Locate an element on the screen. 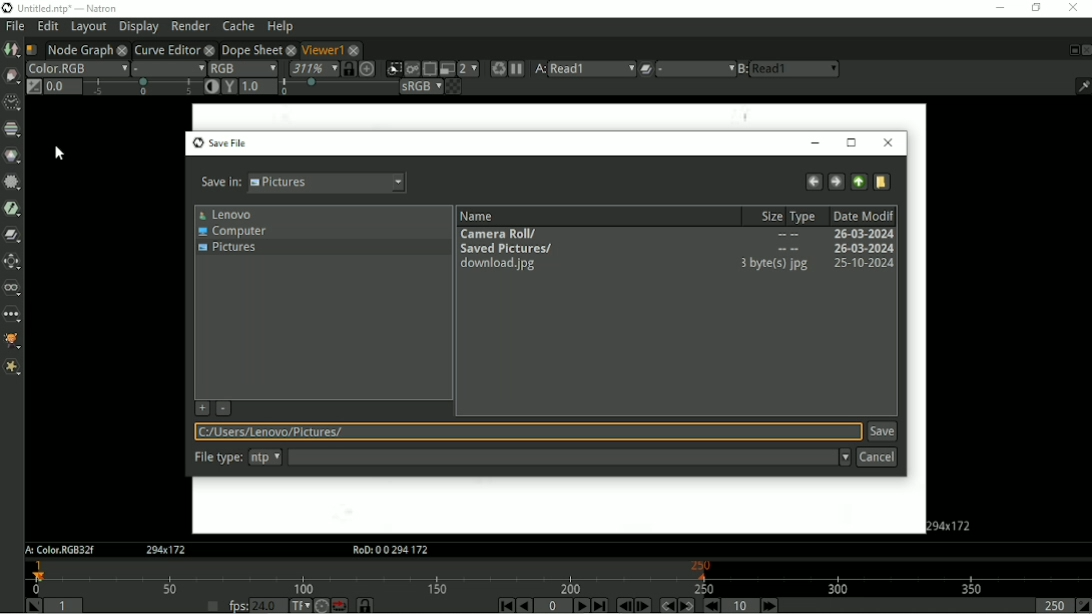 Image resolution: width=1092 pixels, height=614 pixels. Remove selected directory from favorite list is located at coordinates (224, 408).